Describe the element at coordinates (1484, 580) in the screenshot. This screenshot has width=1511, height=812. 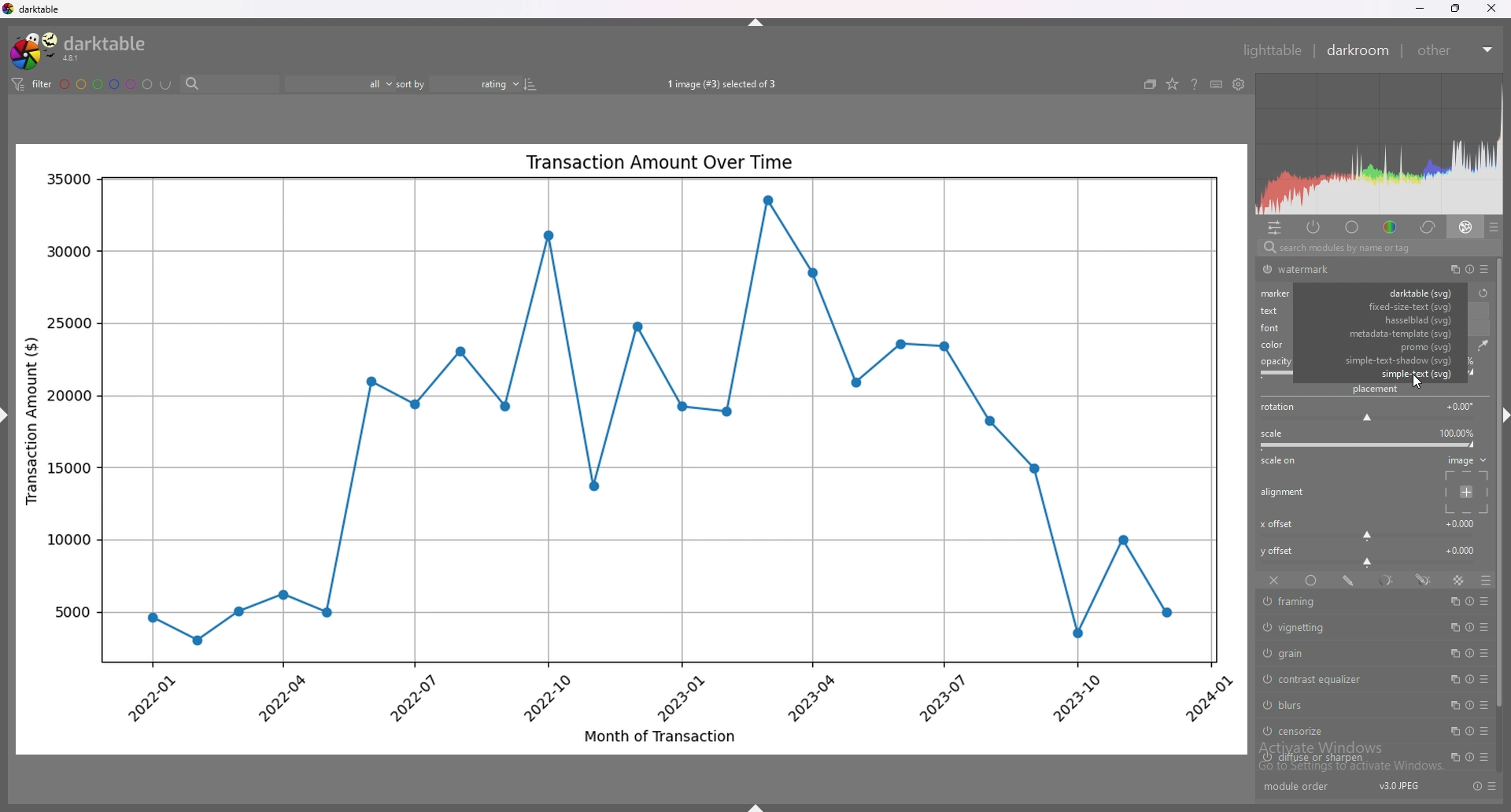
I see `blending options` at that location.